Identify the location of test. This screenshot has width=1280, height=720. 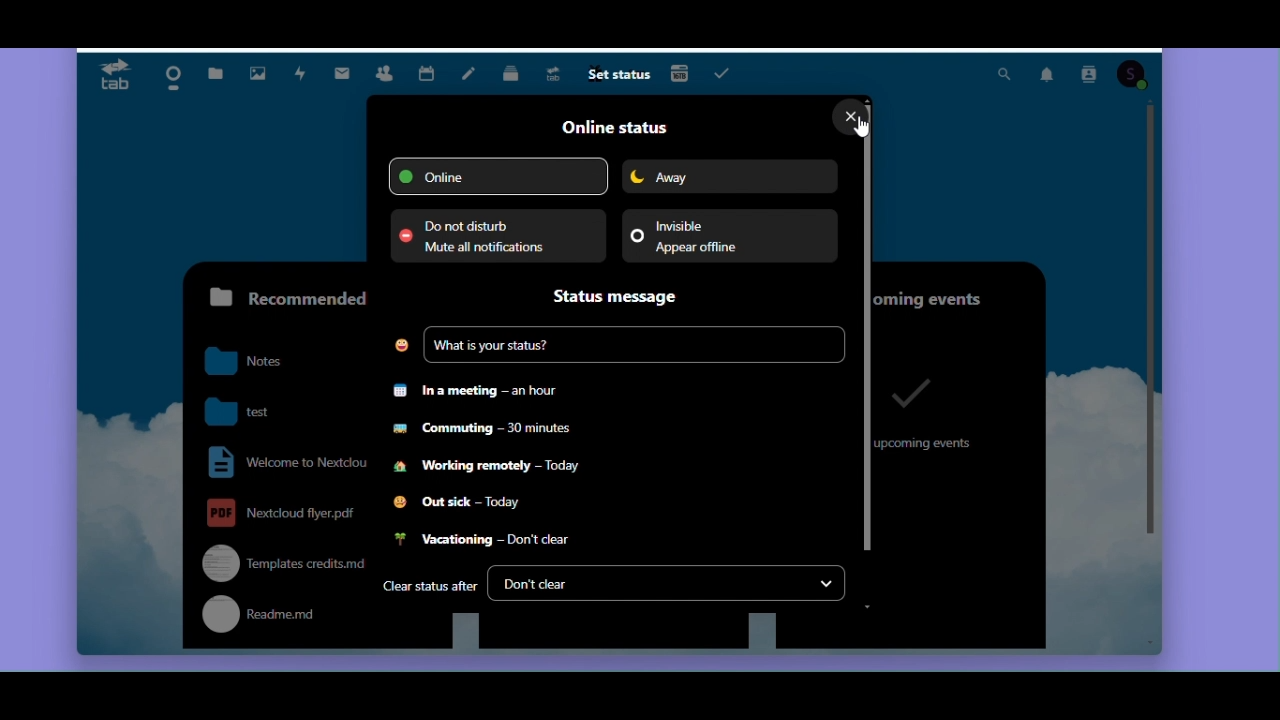
(259, 409).